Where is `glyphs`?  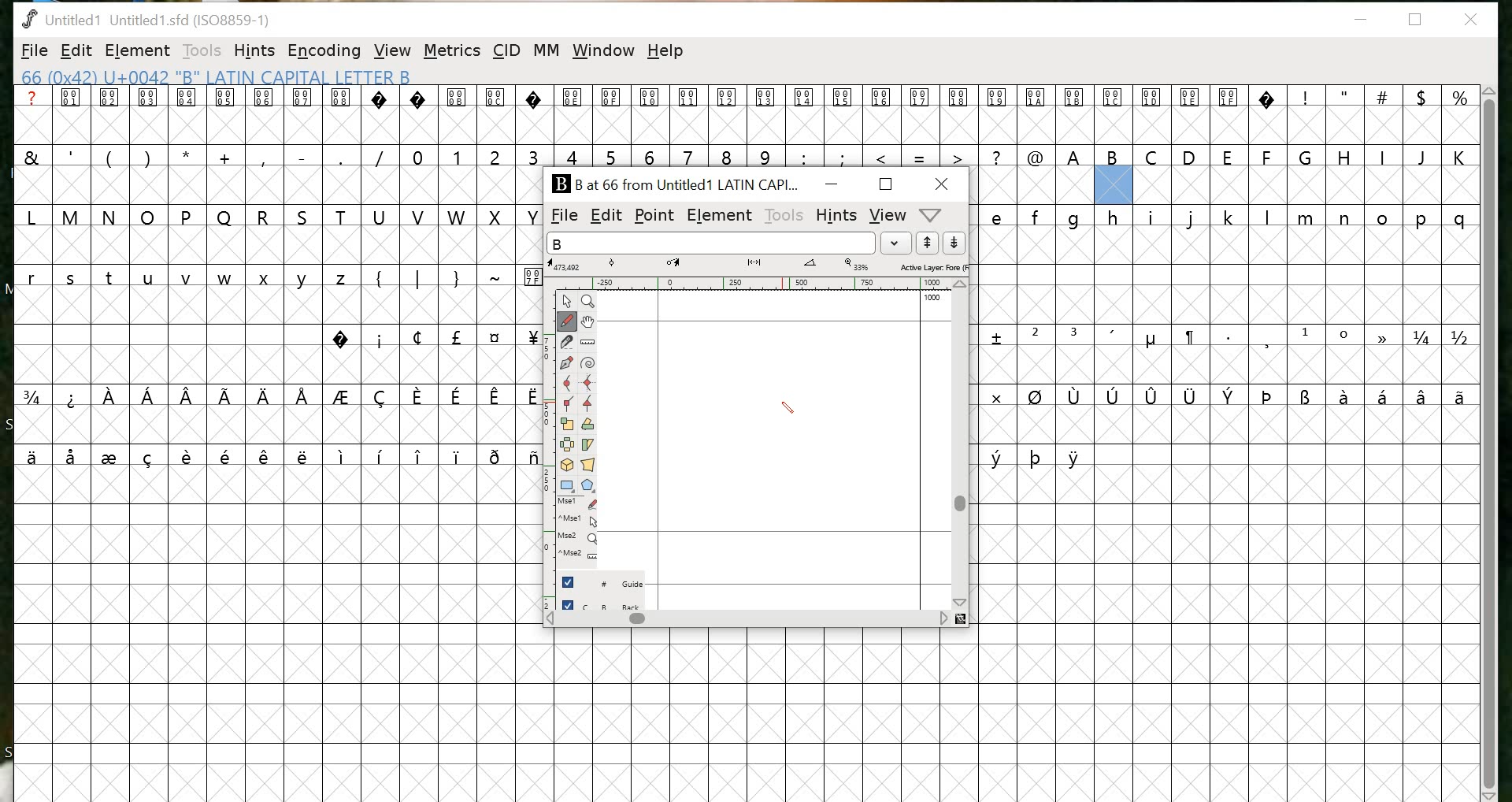 glyphs is located at coordinates (1010, 127).